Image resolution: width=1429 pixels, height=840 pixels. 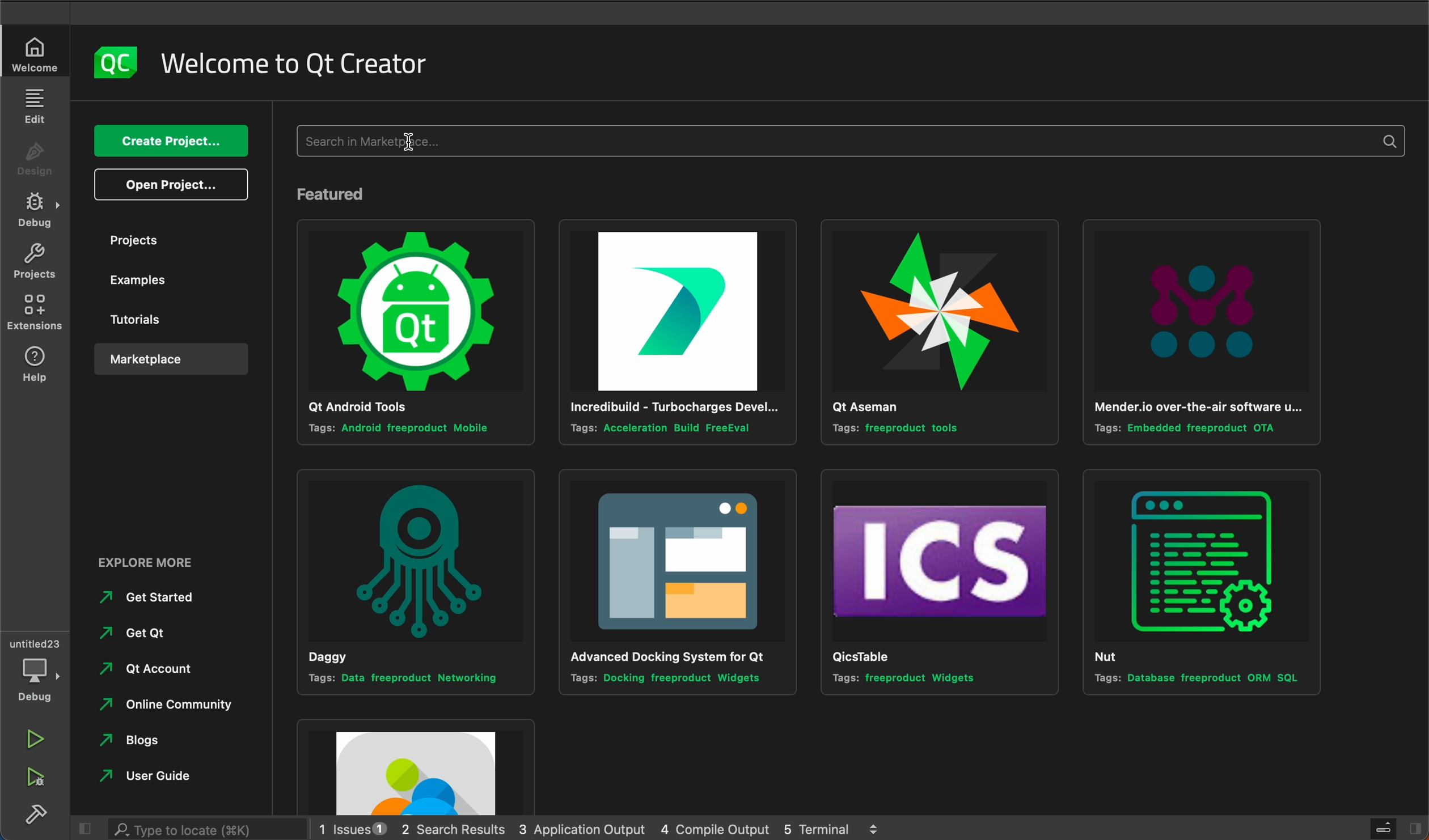 What do you see at coordinates (34, 364) in the screenshot?
I see `help` at bounding box center [34, 364].